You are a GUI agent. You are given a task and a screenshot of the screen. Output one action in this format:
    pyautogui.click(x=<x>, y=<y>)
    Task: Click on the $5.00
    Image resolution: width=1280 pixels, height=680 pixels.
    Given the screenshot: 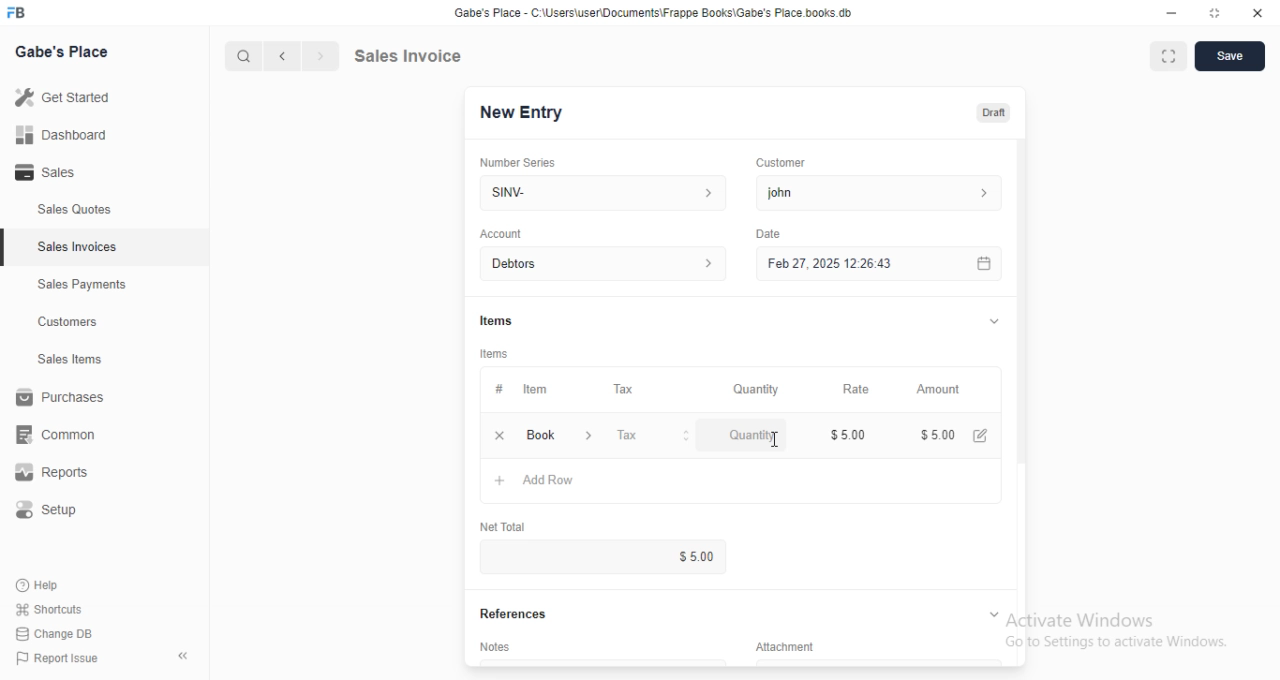 What is the action you would take?
    pyautogui.click(x=849, y=434)
    